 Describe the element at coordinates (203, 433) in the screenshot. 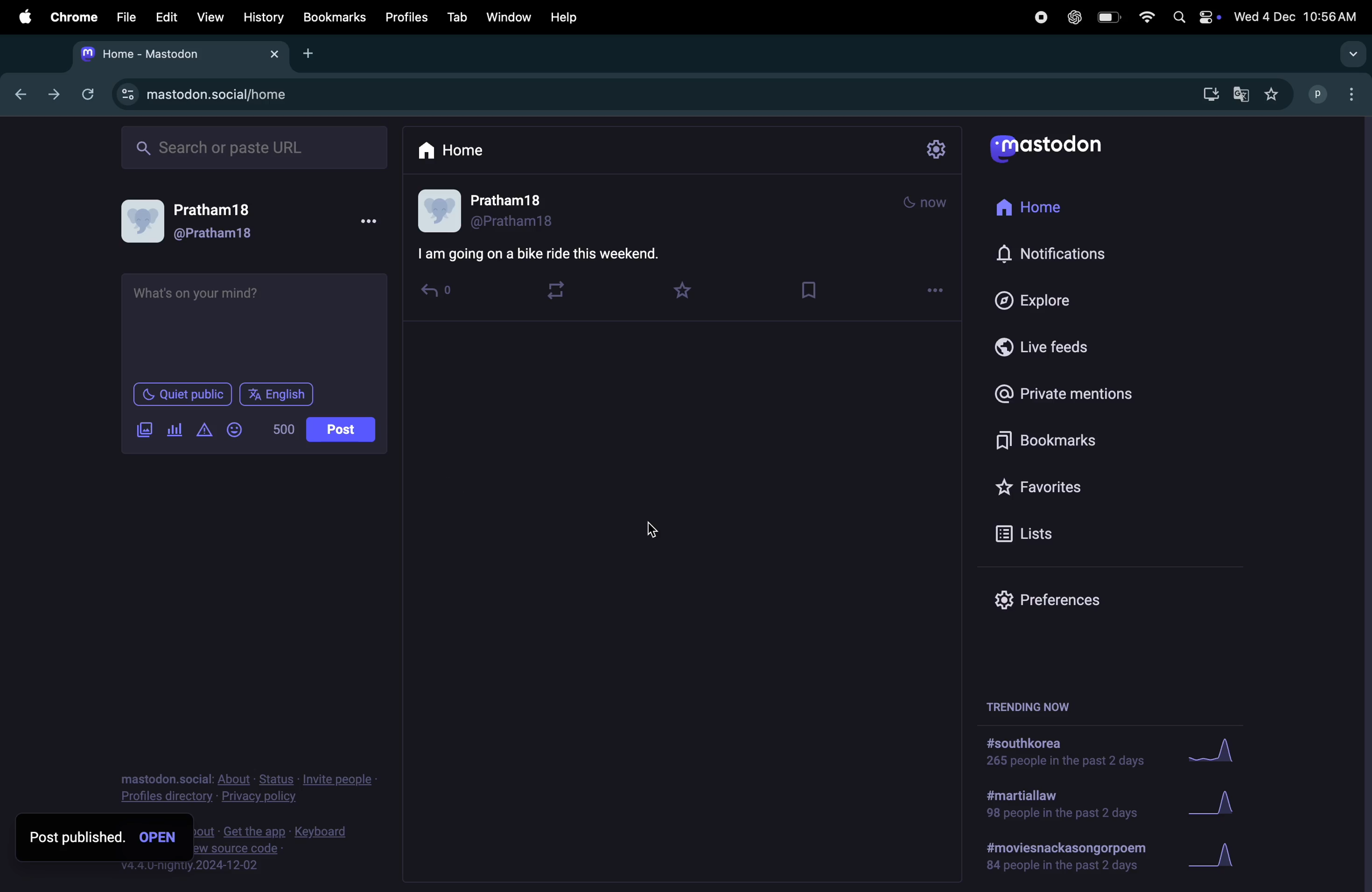

I see `alerts` at that location.